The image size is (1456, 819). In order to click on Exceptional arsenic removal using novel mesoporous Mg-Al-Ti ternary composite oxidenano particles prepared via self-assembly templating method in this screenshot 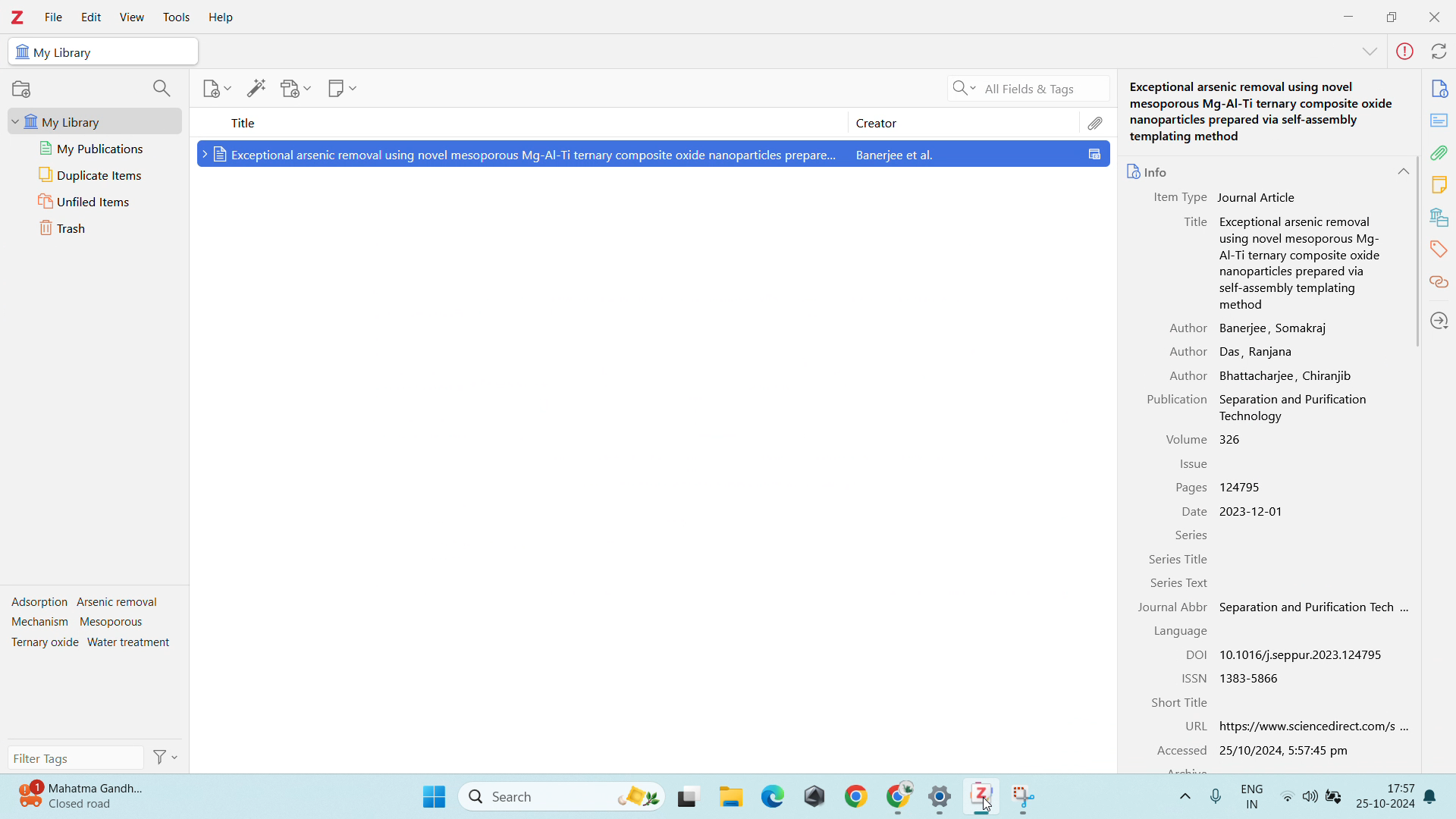, I will do `click(1260, 113)`.